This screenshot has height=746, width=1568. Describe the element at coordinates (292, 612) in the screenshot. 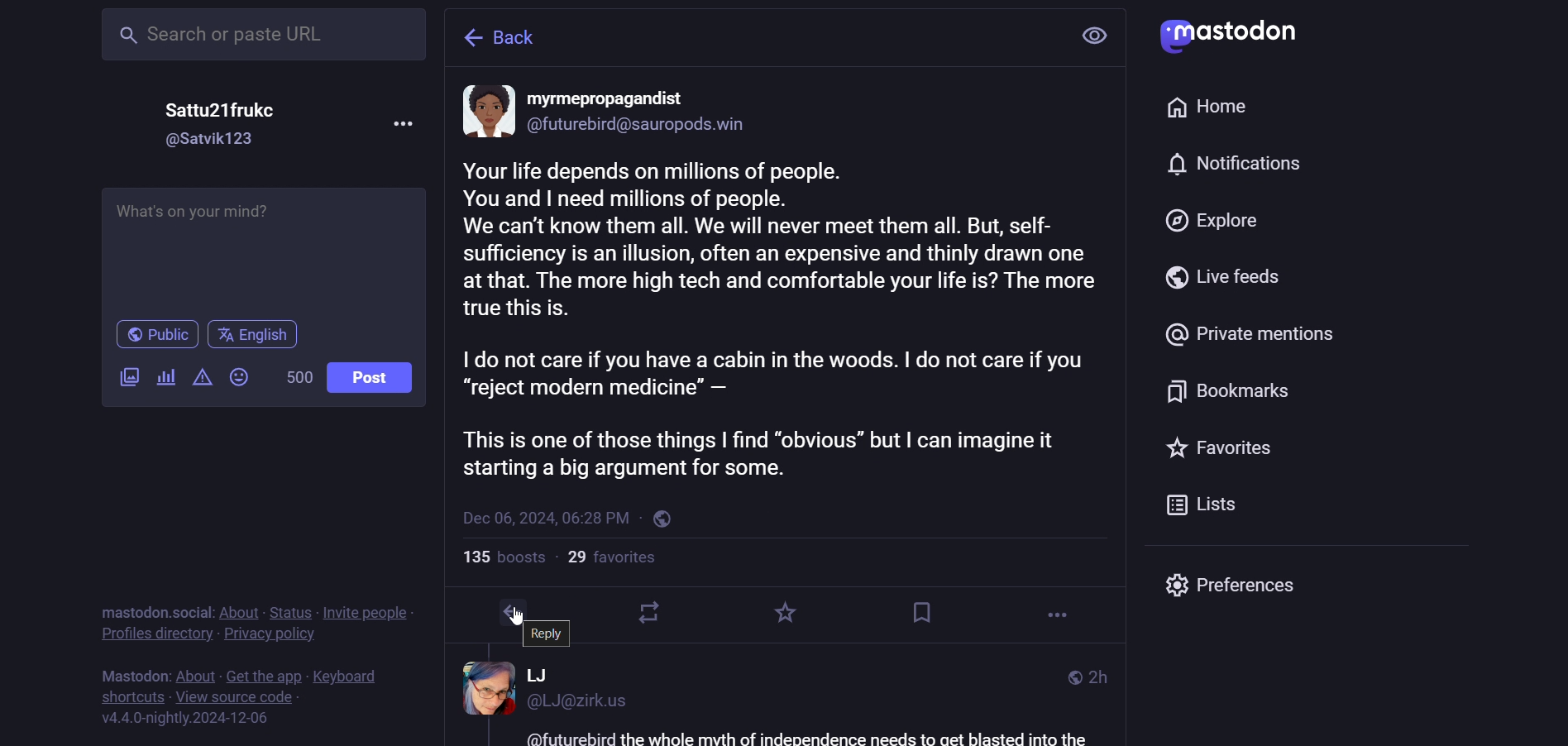

I see `status` at that location.